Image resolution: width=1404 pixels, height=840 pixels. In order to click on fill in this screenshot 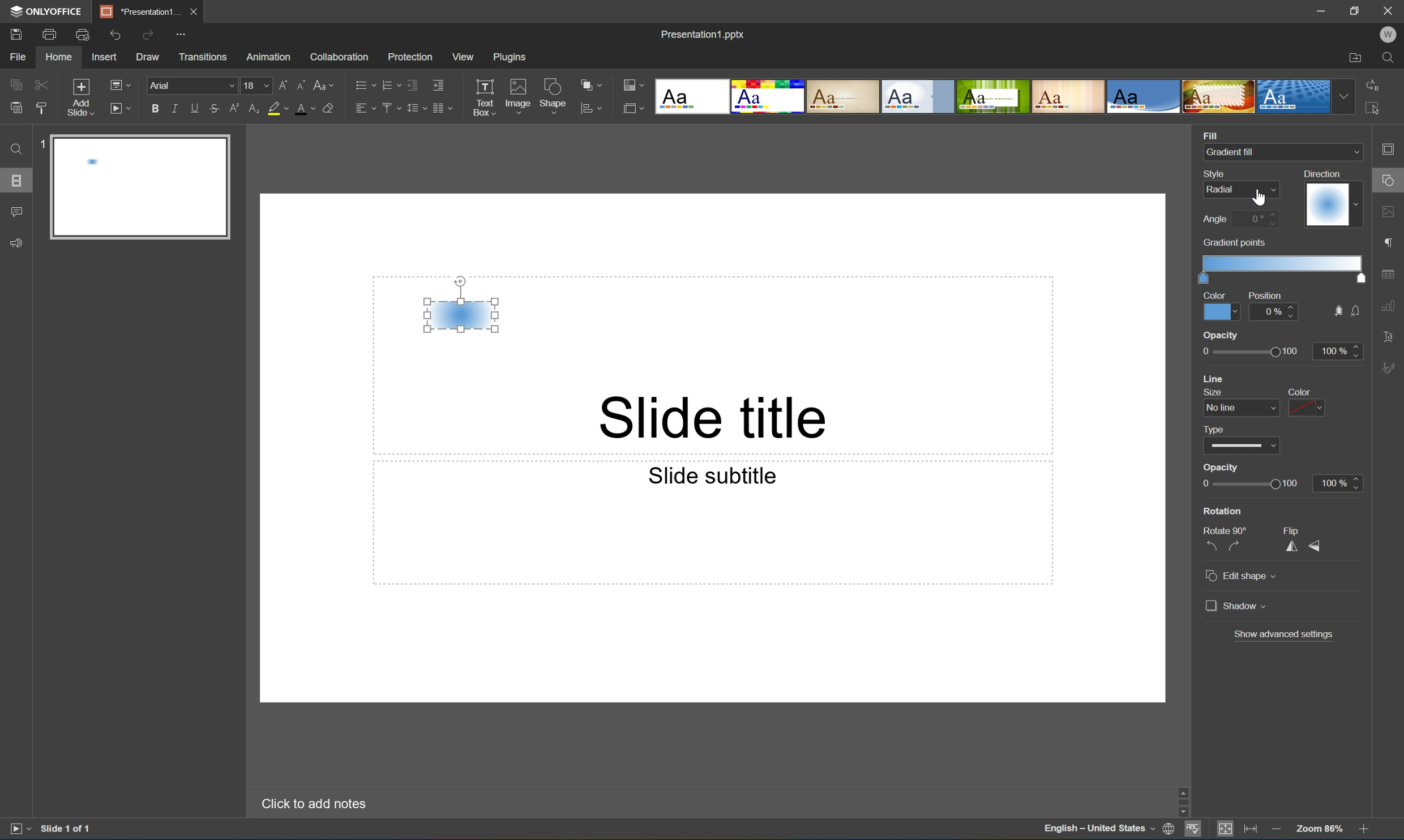, I will do `click(1336, 311)`.